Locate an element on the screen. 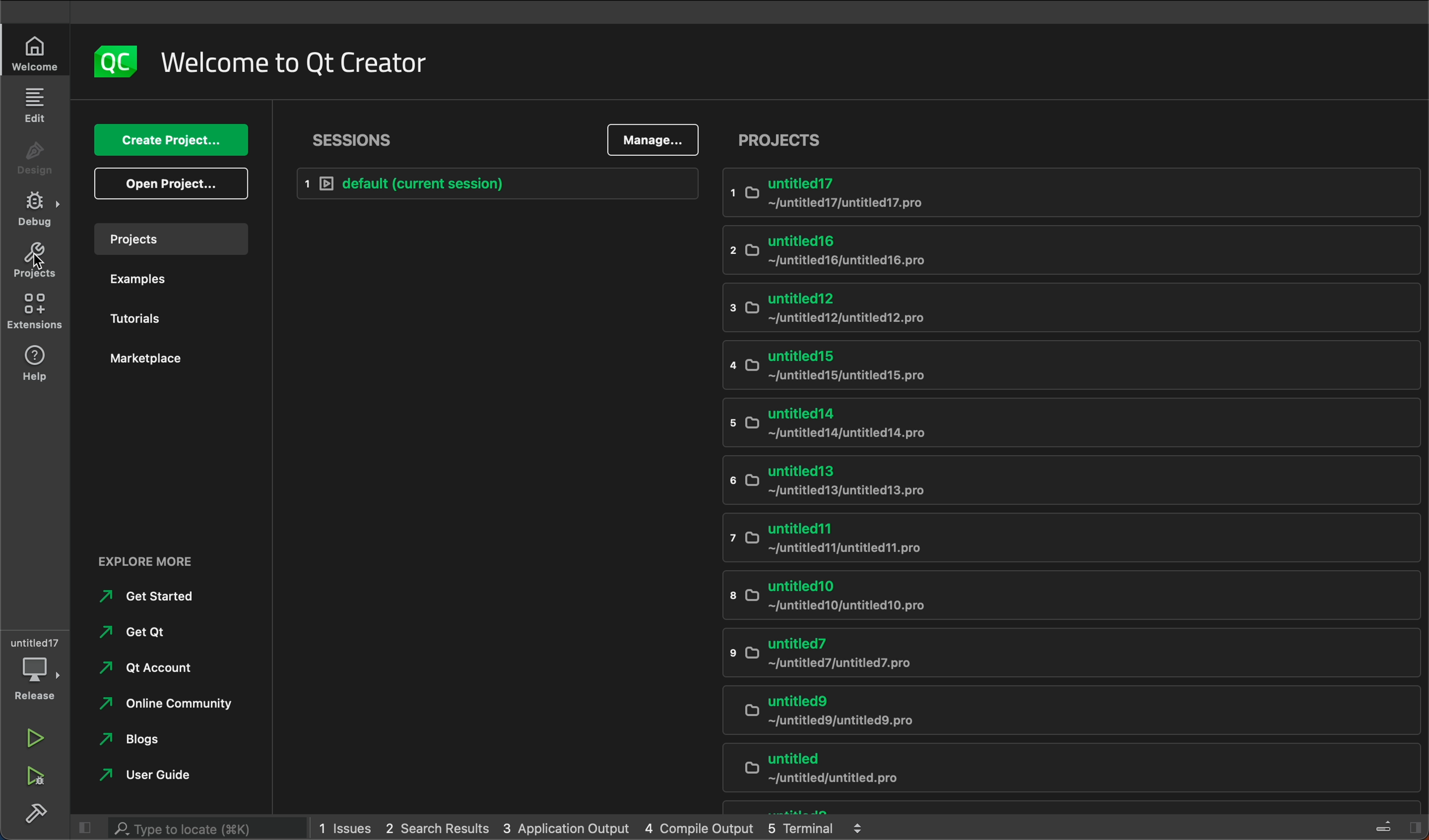 The height and width of the screenshot is (840, 1429). build is located at coordinates (39, 816).